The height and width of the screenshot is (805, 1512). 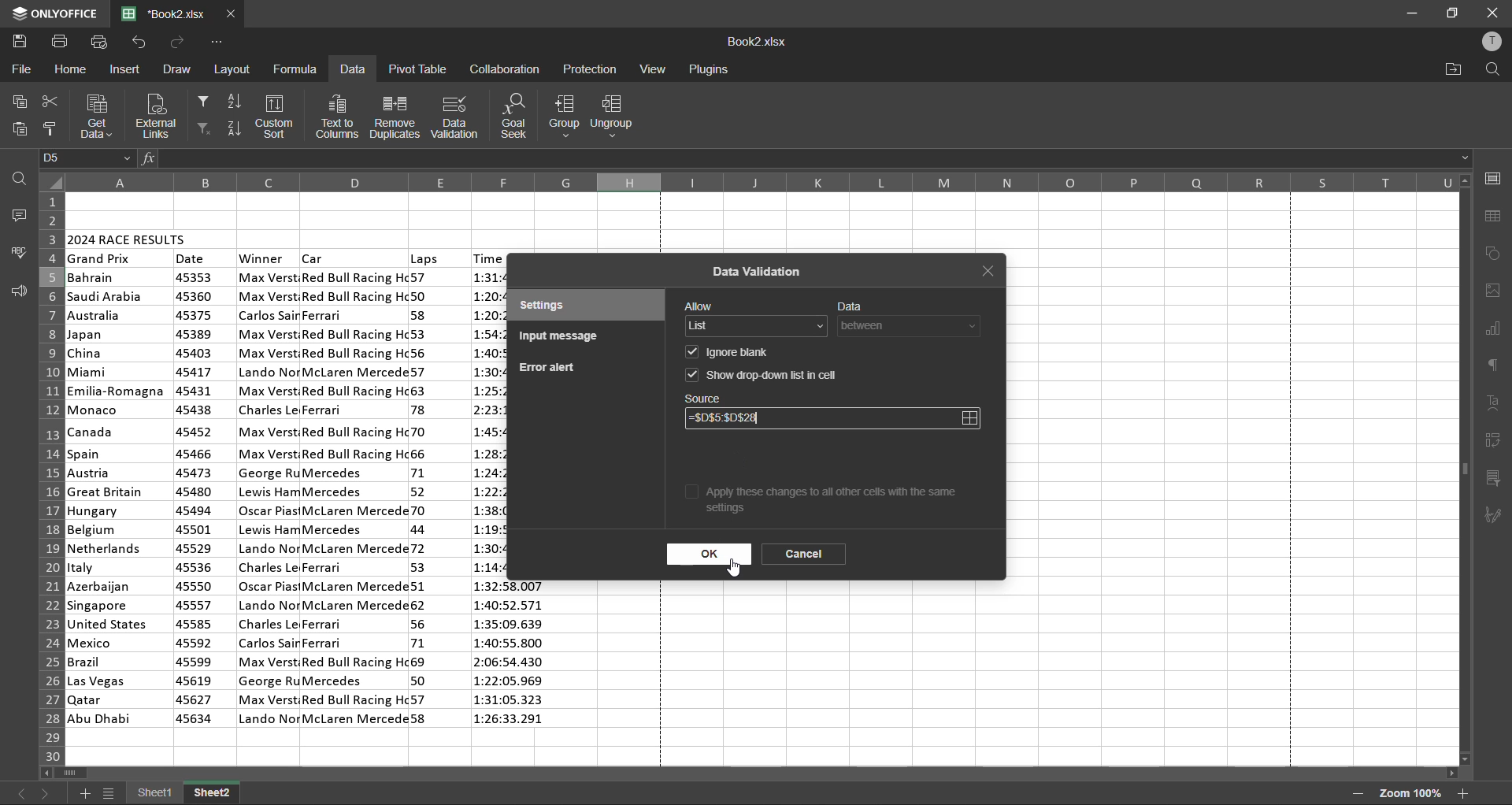 What do you see at coordinates (354, 497) in the screenshot?
I see `car` at bounding box center [354, 497].